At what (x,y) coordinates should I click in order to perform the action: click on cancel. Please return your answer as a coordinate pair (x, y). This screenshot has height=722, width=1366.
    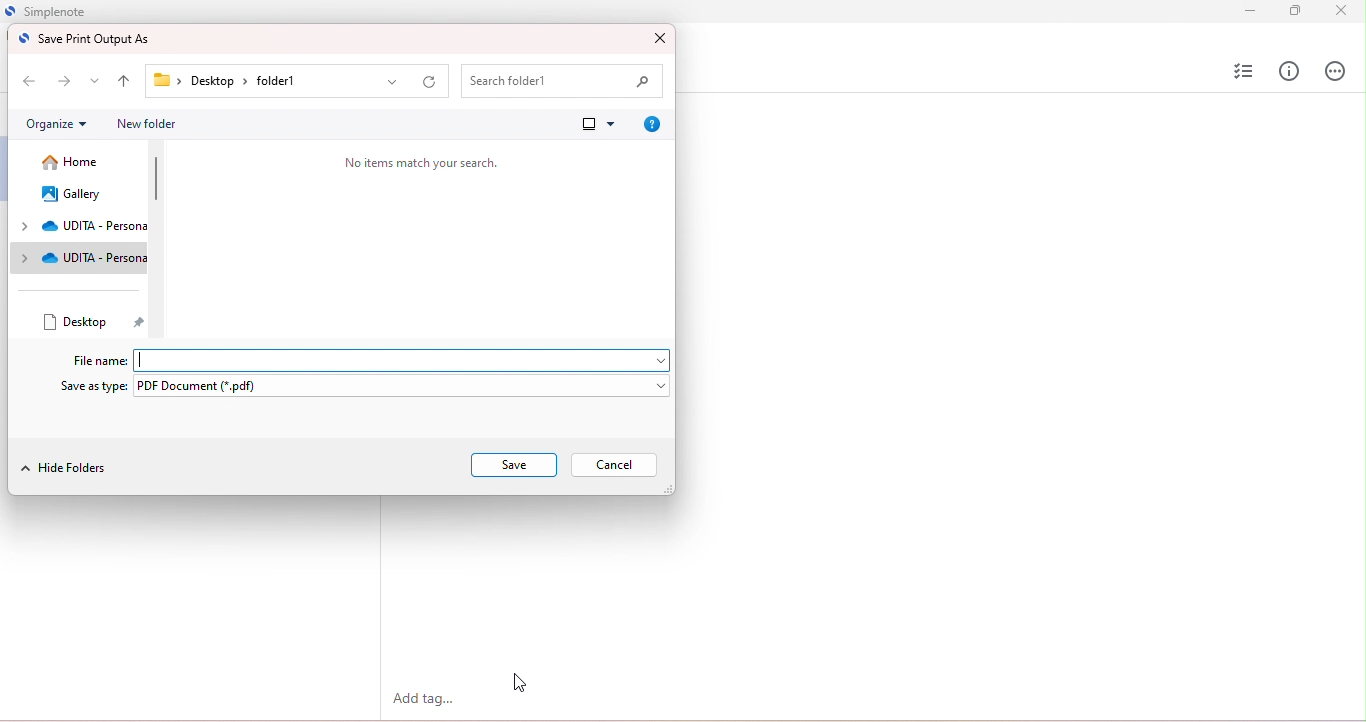
    Looking at the image, I should click on (615, 465).